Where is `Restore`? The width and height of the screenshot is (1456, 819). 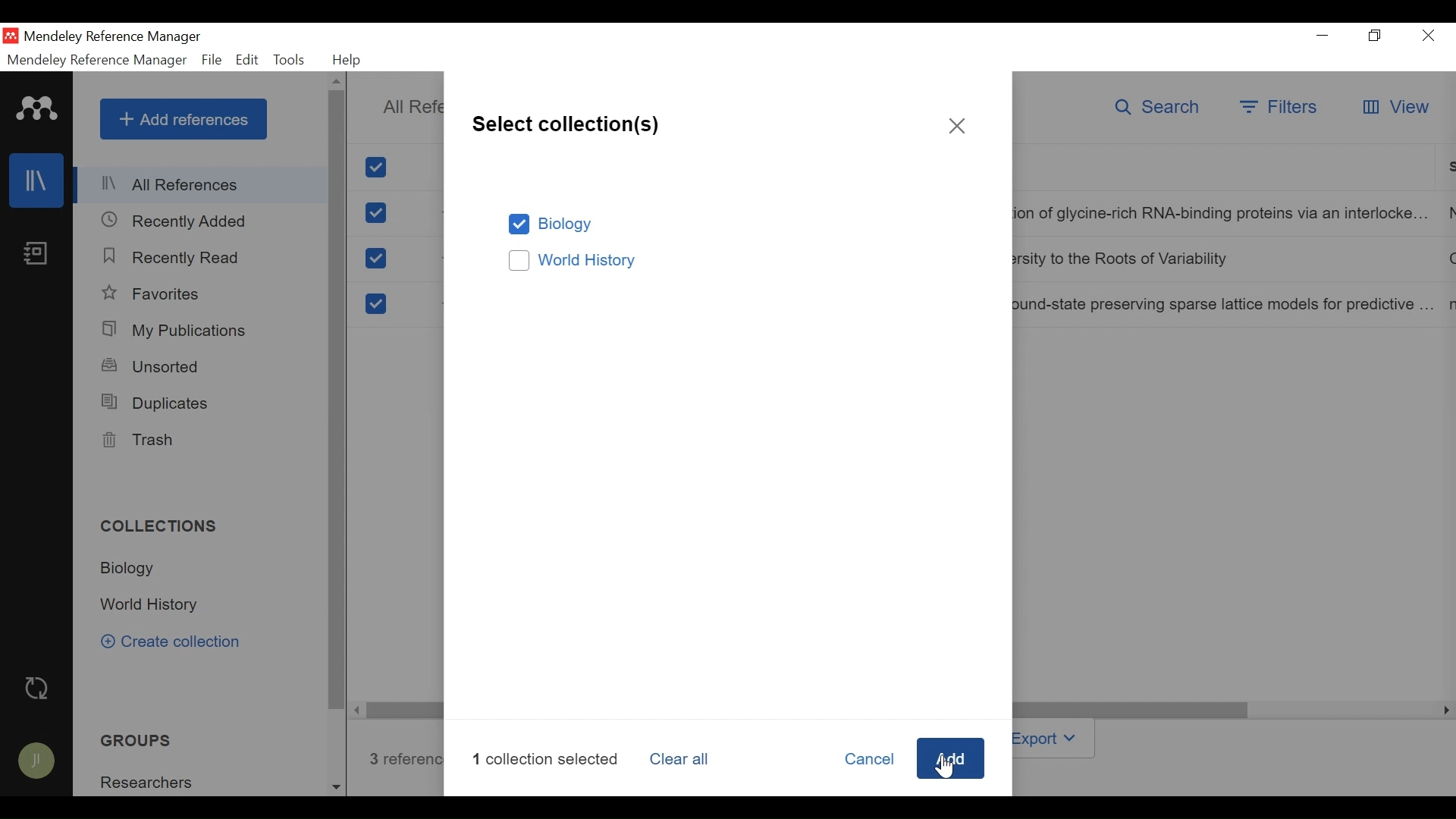
Restore is located at coordinates (1376, 36).